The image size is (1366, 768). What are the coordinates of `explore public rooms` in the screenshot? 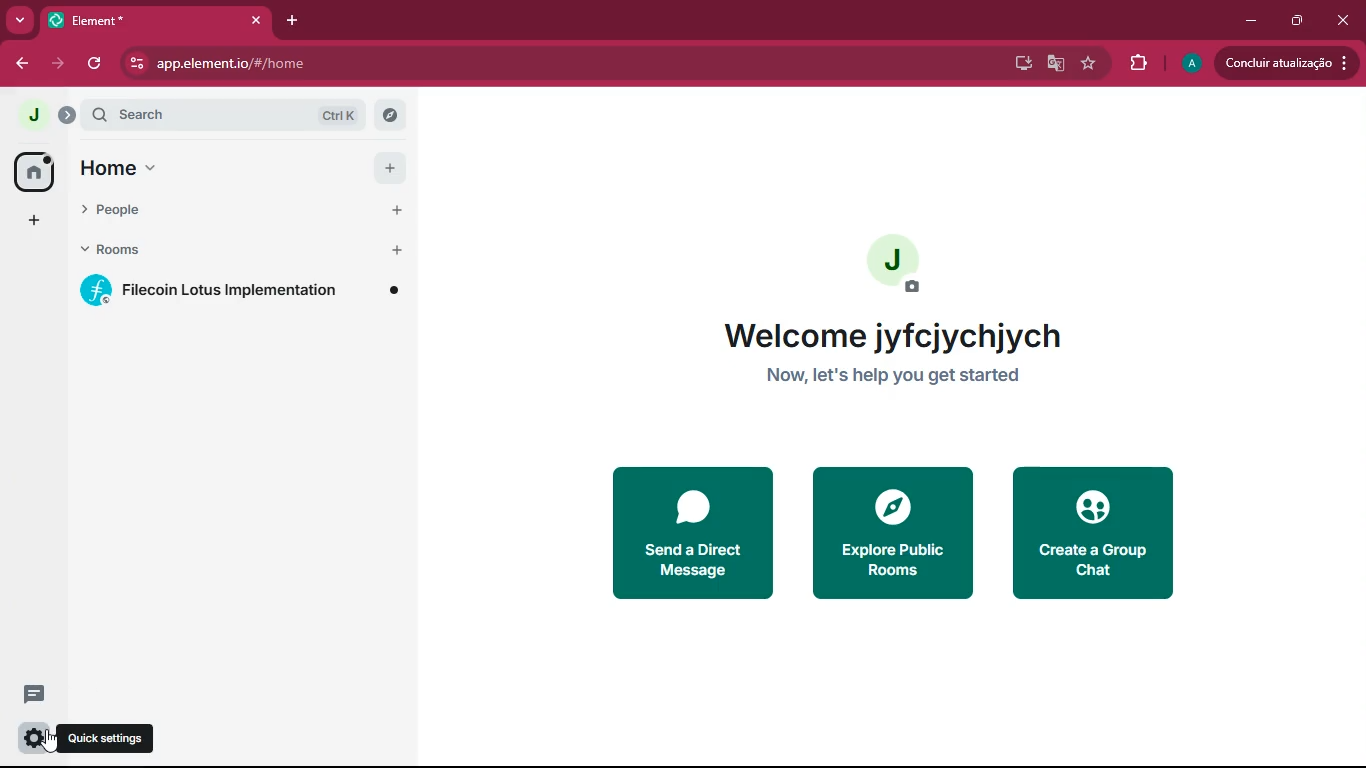 It's located at (892, 533).